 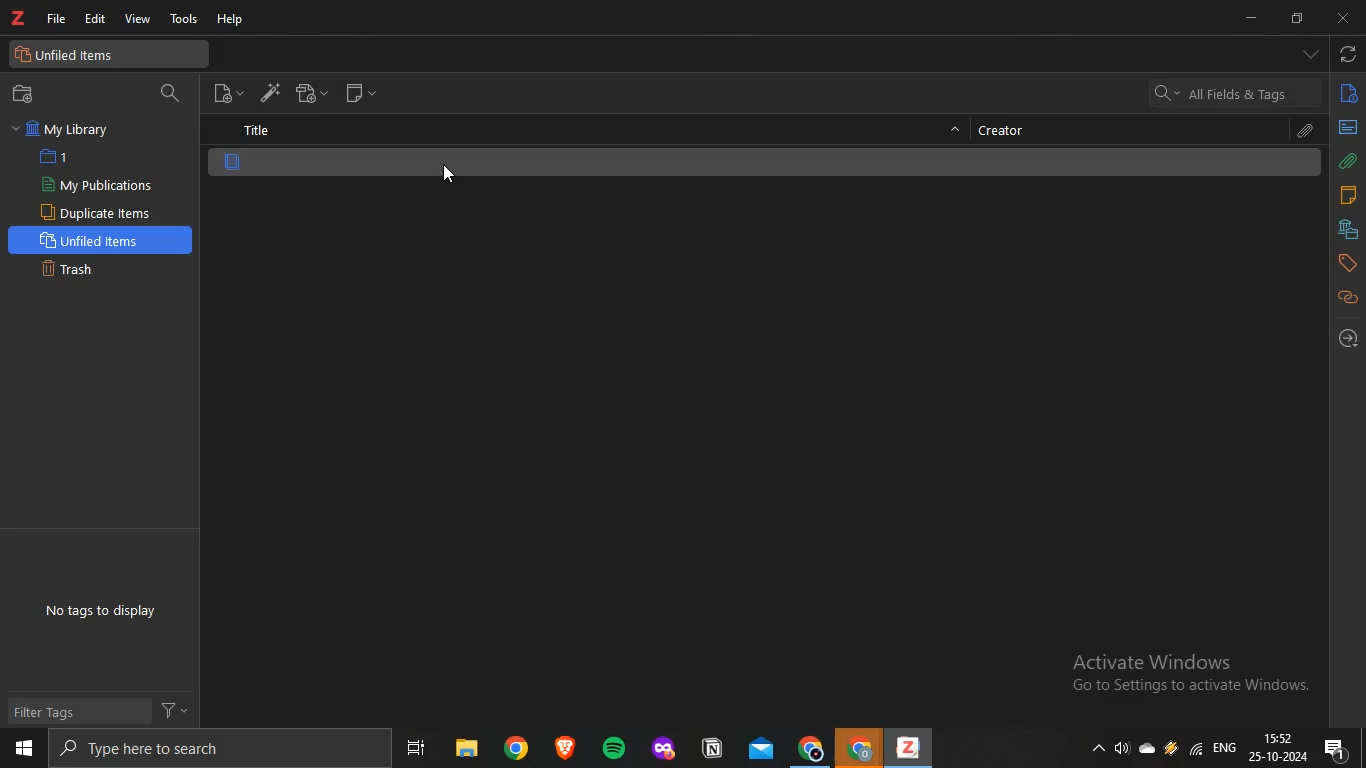 I want to click on My Library, so click(x=64, y=129).